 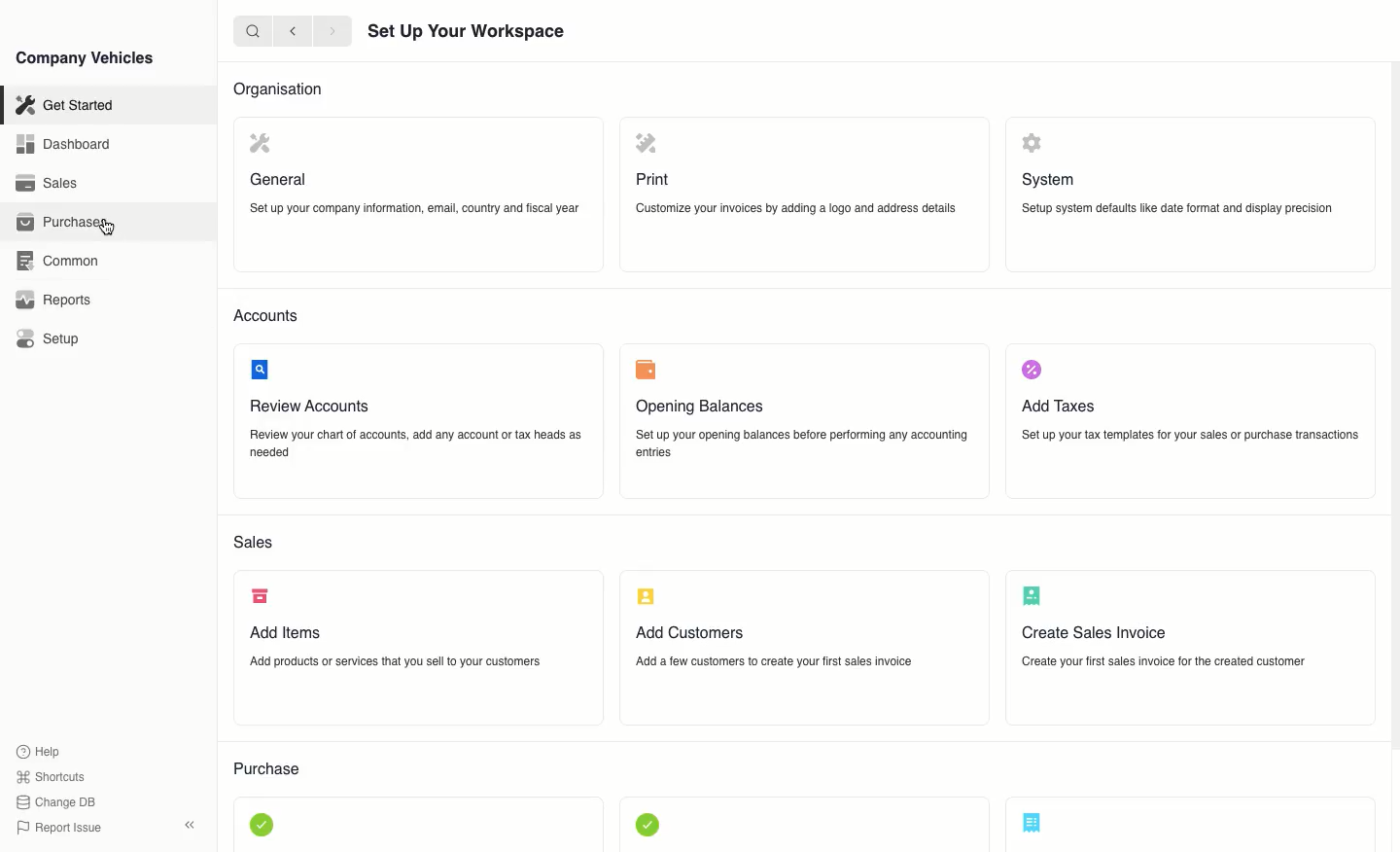 What do you see at coordinates (262, 369) in the screenshot?
I see `icon` at bounding box center [262, 369].